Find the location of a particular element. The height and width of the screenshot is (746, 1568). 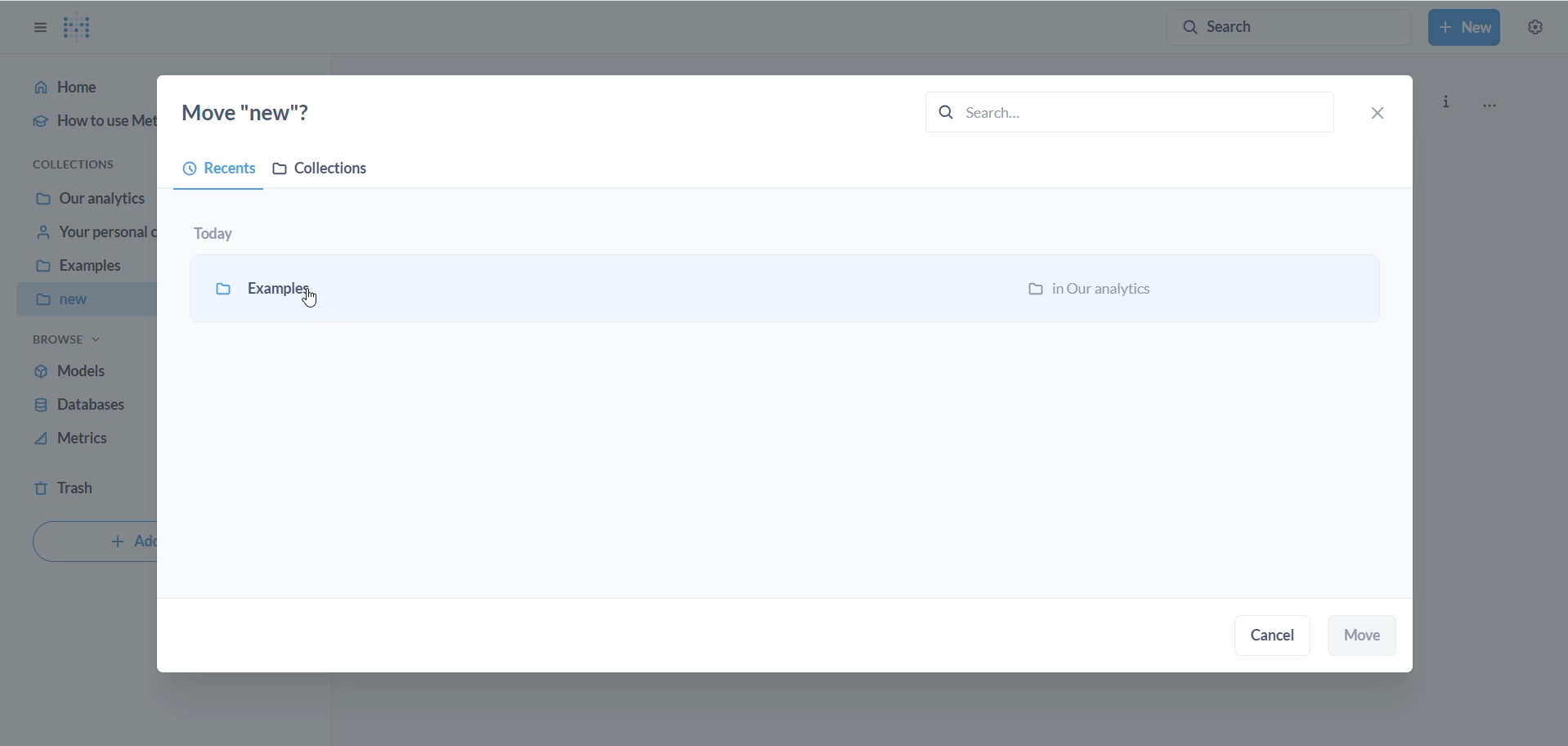

examples is located at coordinates (87, 270).